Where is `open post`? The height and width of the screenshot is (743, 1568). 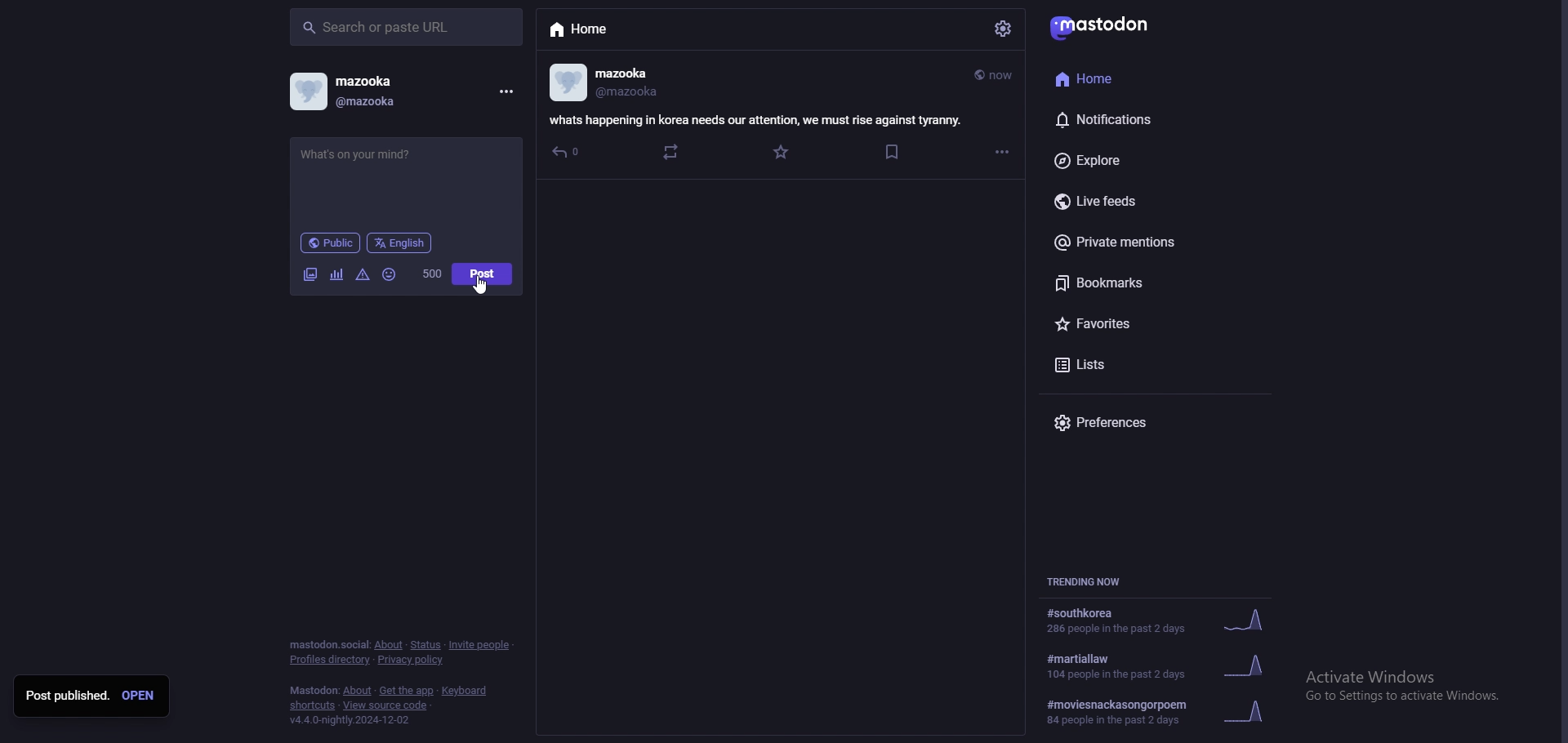 open post is located at coordinates (139, 696).